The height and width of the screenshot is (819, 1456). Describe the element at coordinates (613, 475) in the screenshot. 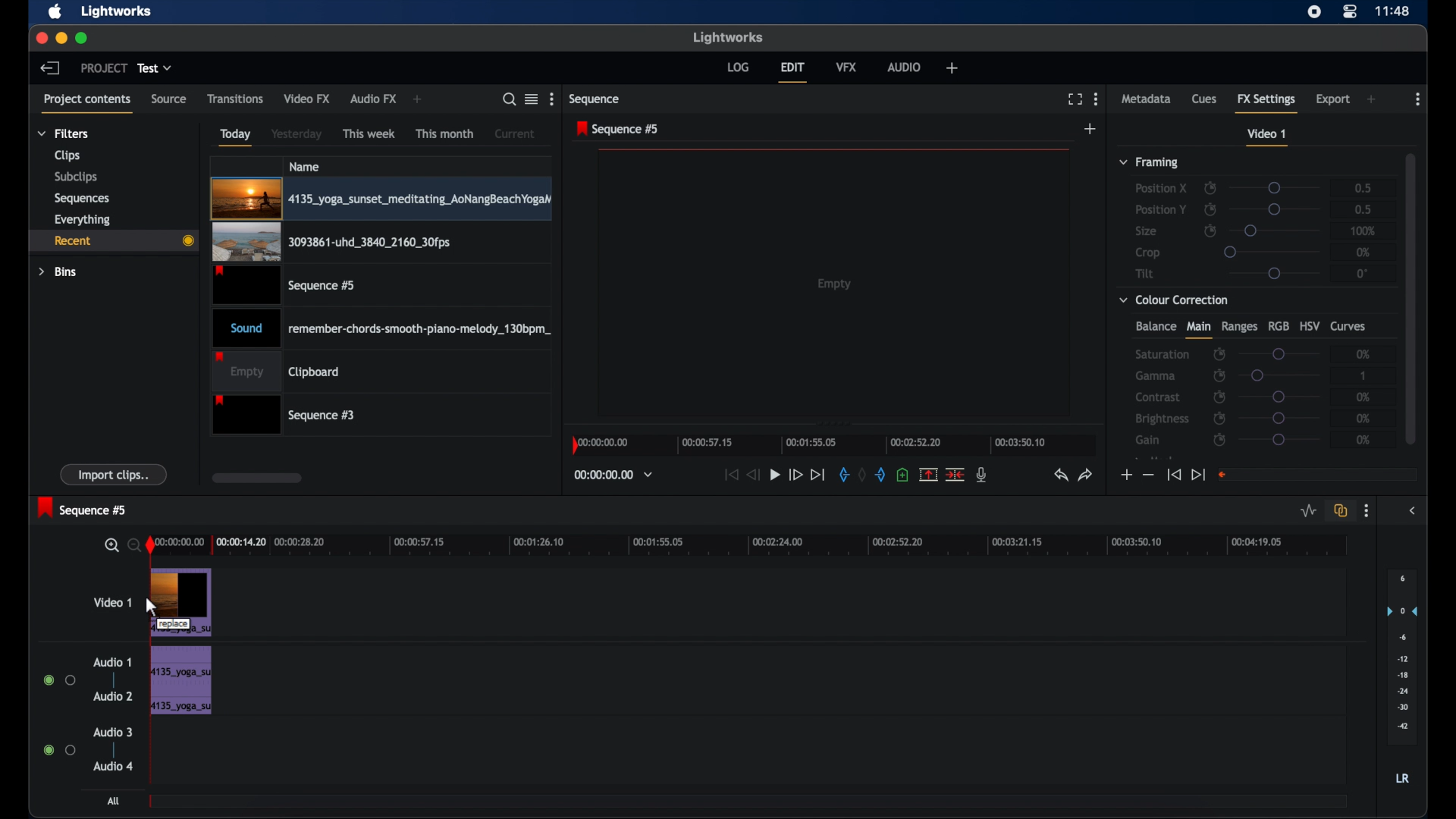

I see `timecodes and reels` at that location.